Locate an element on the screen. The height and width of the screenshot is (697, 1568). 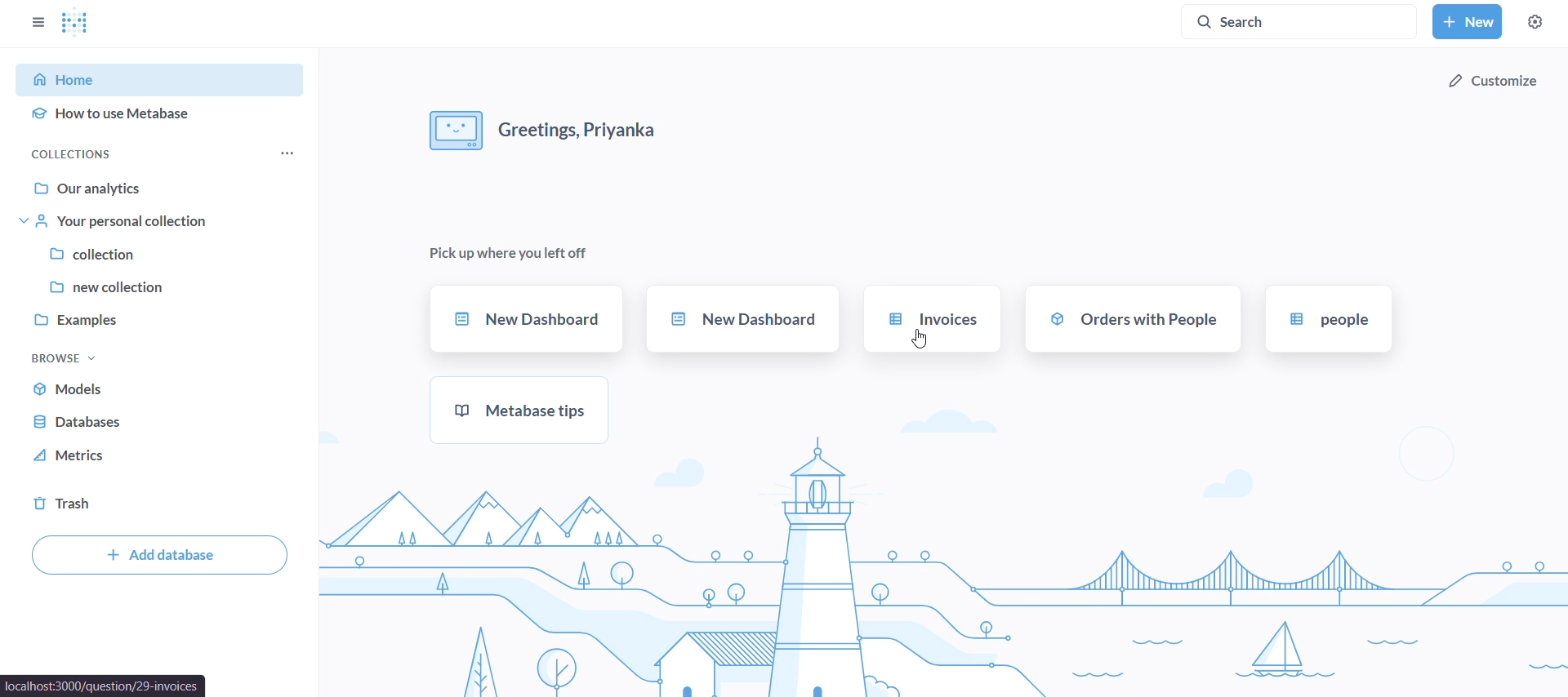
localhost:3000/question/29-invoices is located at coordinates (106, 686).